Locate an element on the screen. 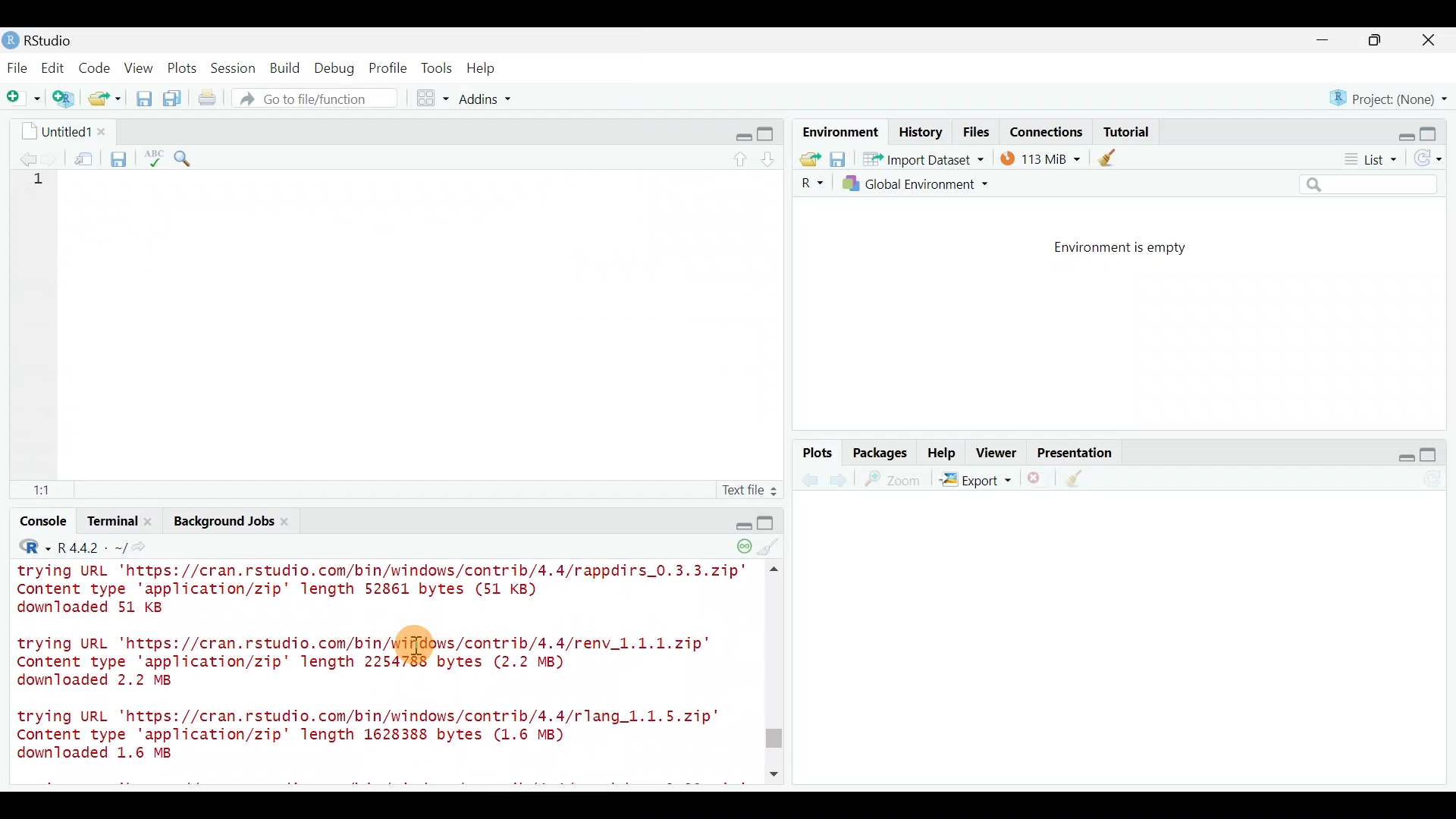 The width and height of the screenshot is (1456, 819). Tools is located at coordinates (438, 67).